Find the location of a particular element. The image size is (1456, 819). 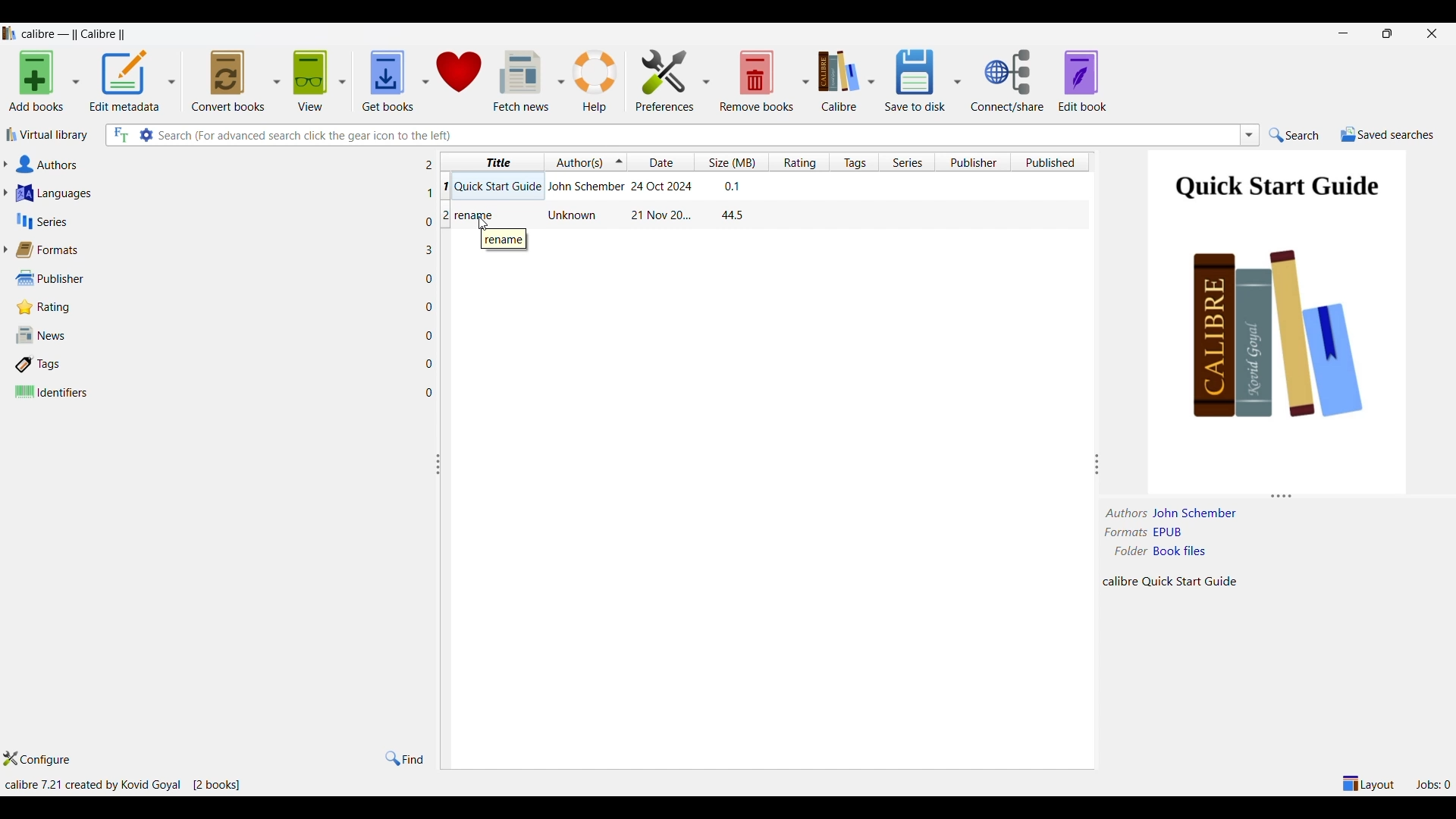

Preference options is located at coordinates (707, 80).